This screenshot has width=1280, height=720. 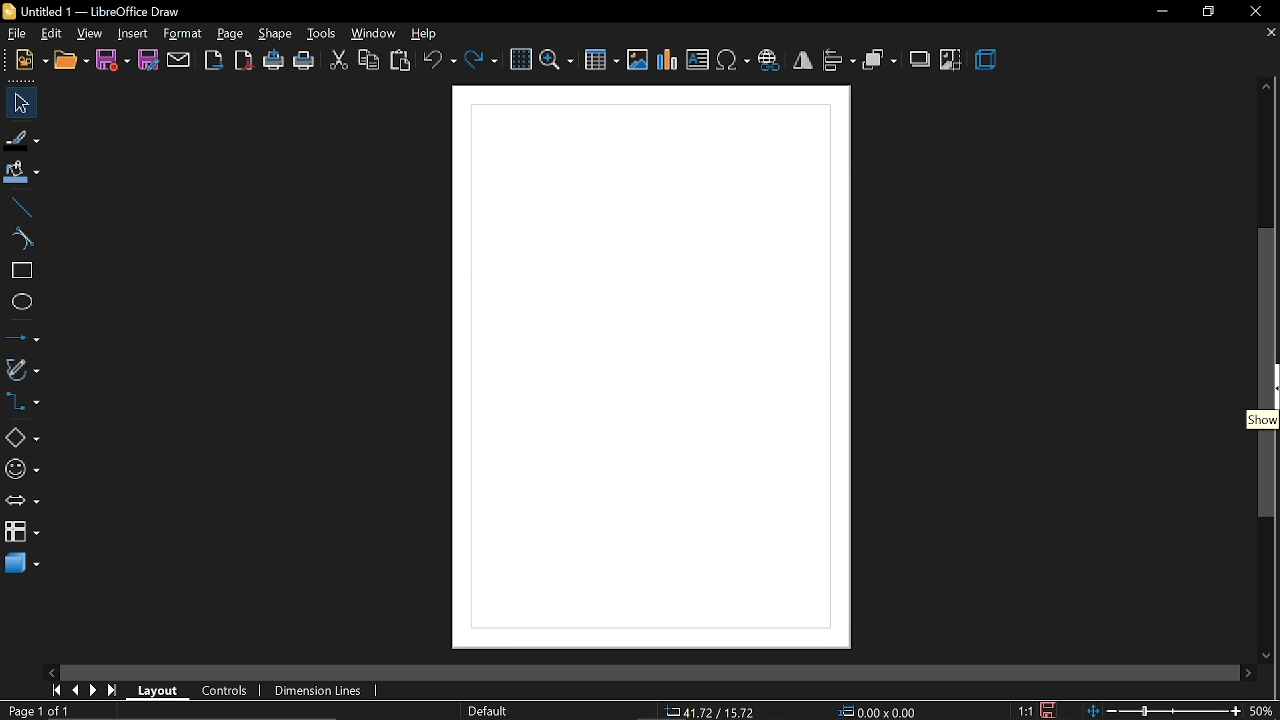 I want to click on move down, so click(x=1270, y=656).